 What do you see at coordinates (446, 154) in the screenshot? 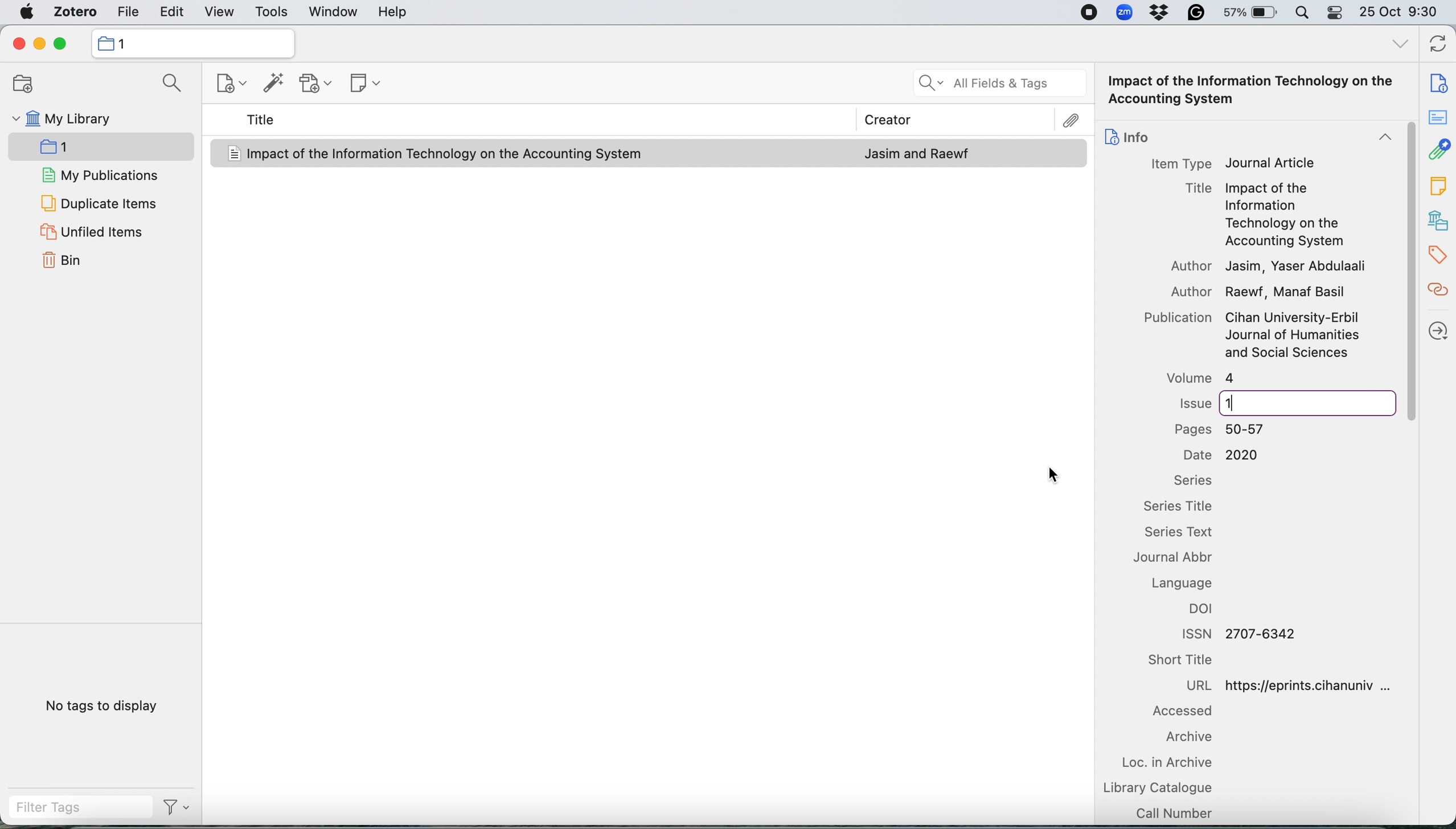
I see `Impact of the Information Technology on the Accounting System` at bounding box center [446, 154].